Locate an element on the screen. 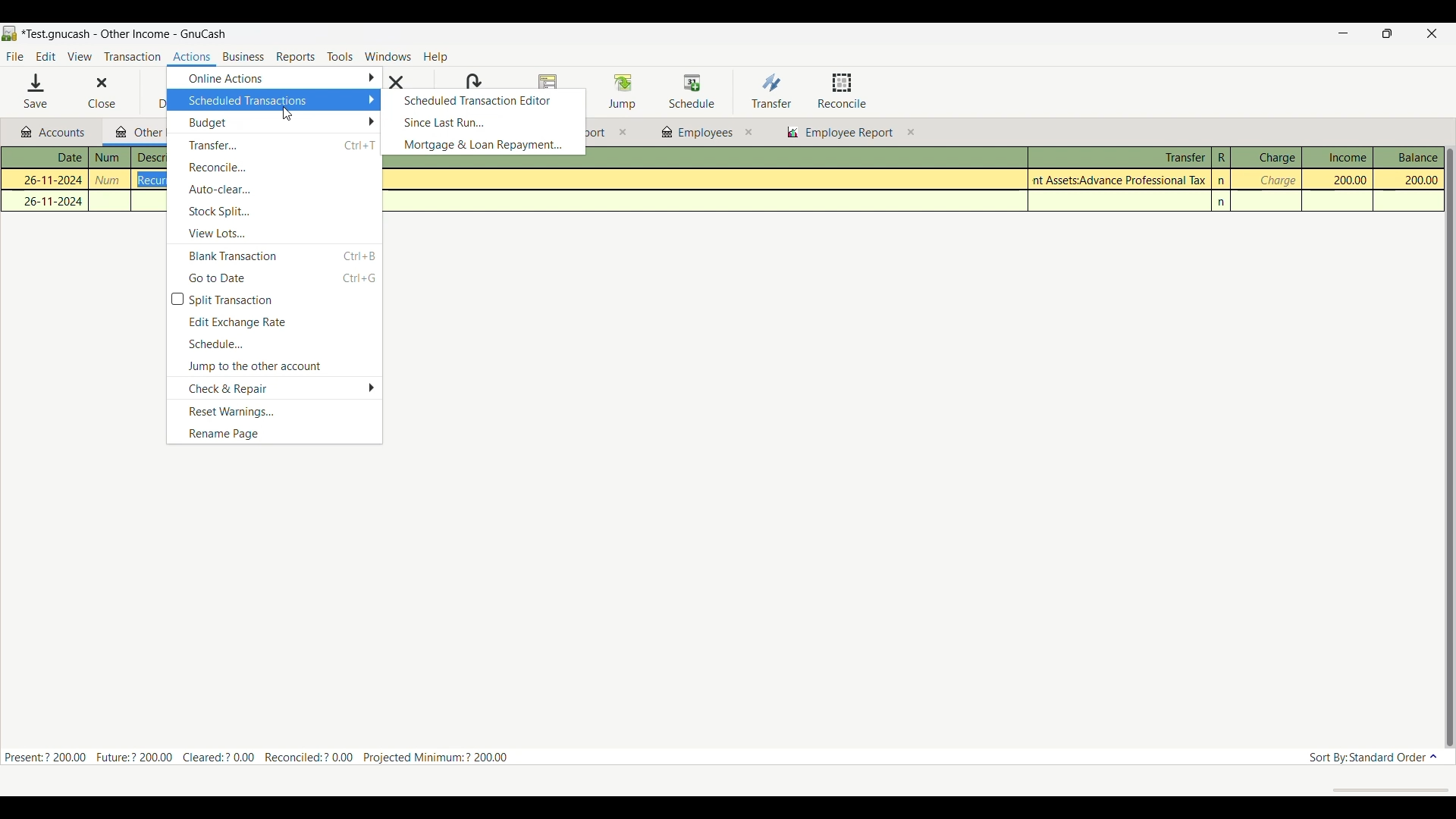 The height and width of the screenshot is (819, 1456). n is located at coordinates (1222, 180).